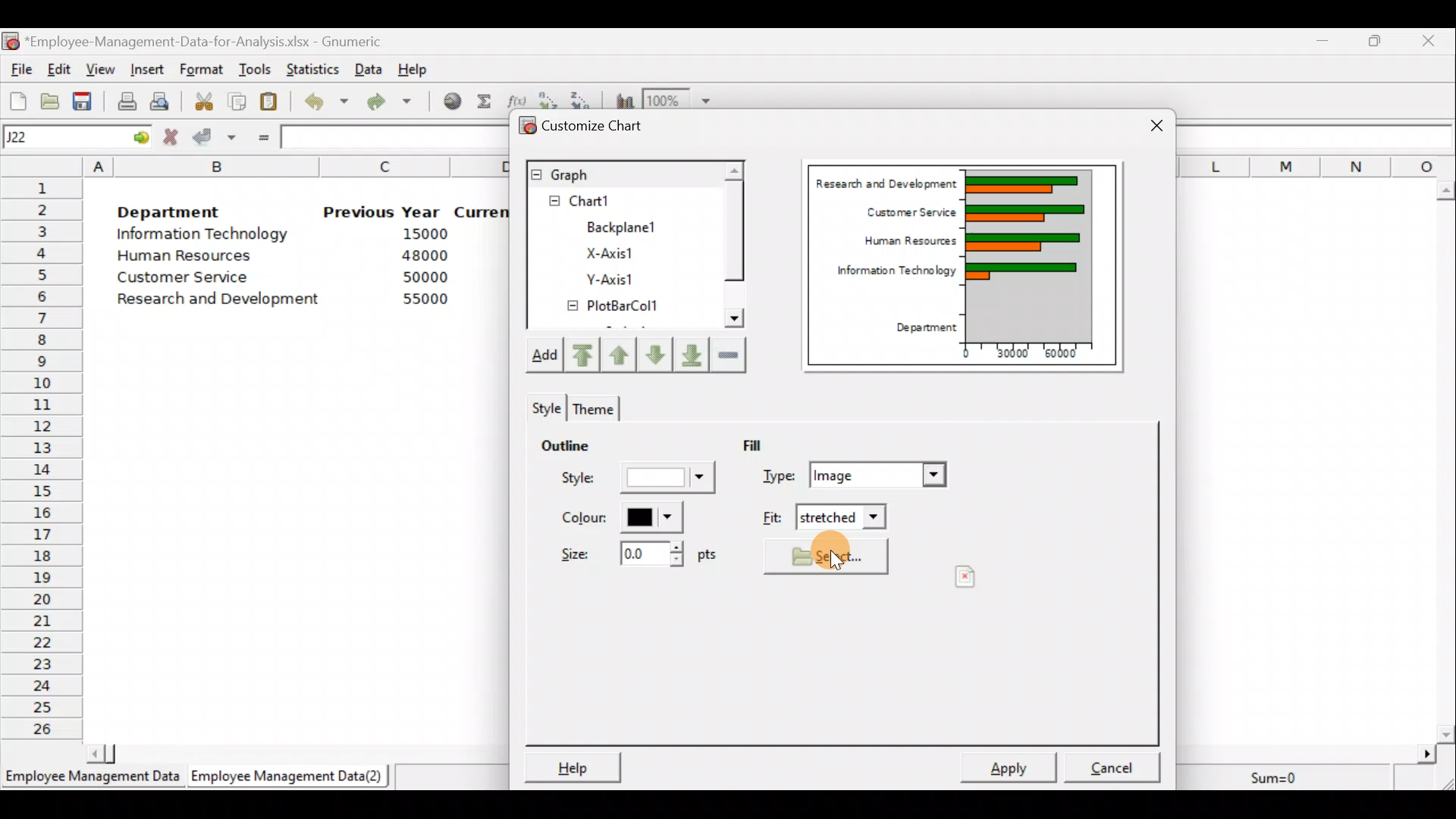 The width and height of the screenshot is (1456, 819). Describe the element at coordinates (730, 356) in the screenshot. I see `Remove` at that location.